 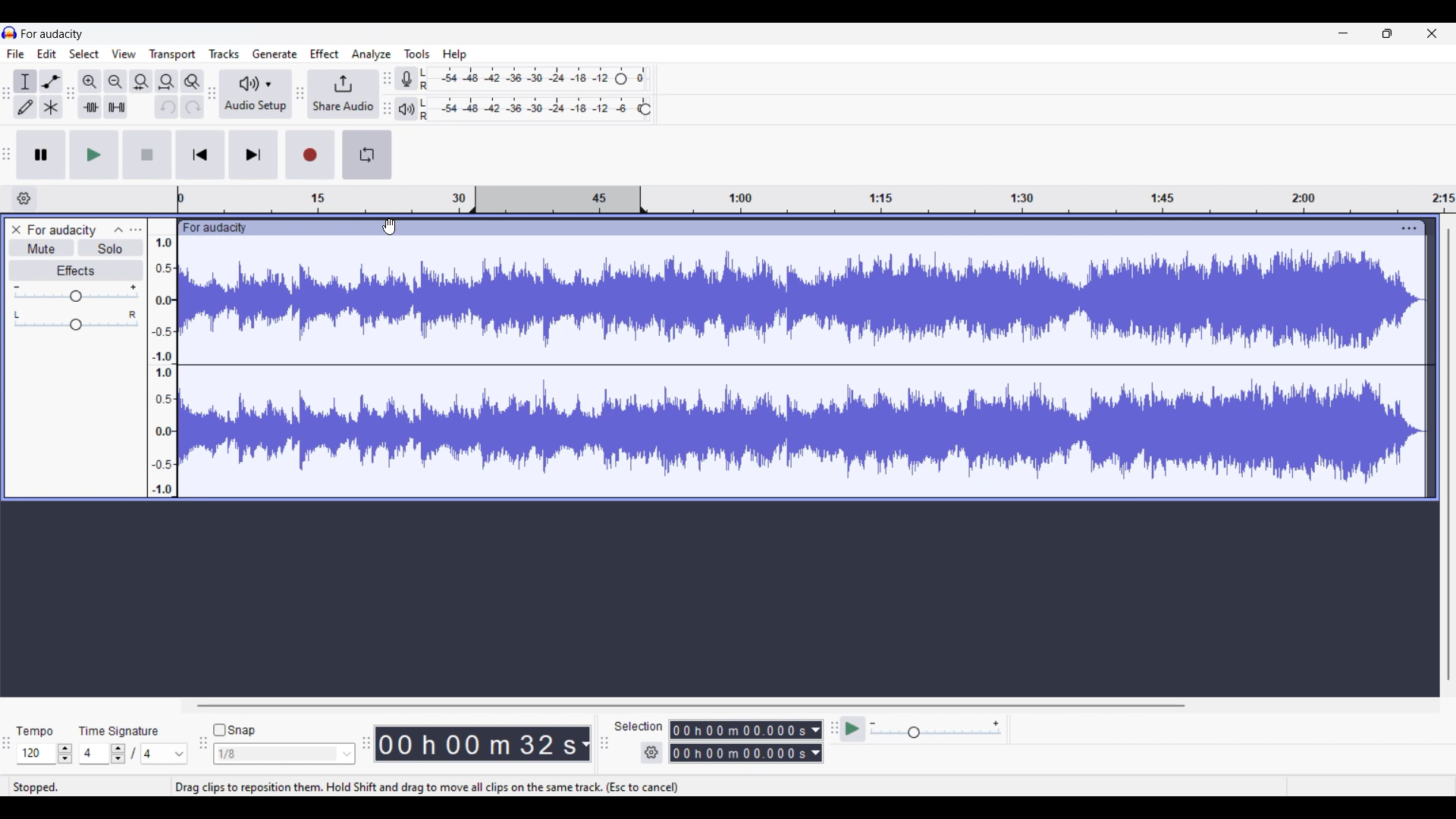 I want to click on View menu, so click(x=124, y=53).